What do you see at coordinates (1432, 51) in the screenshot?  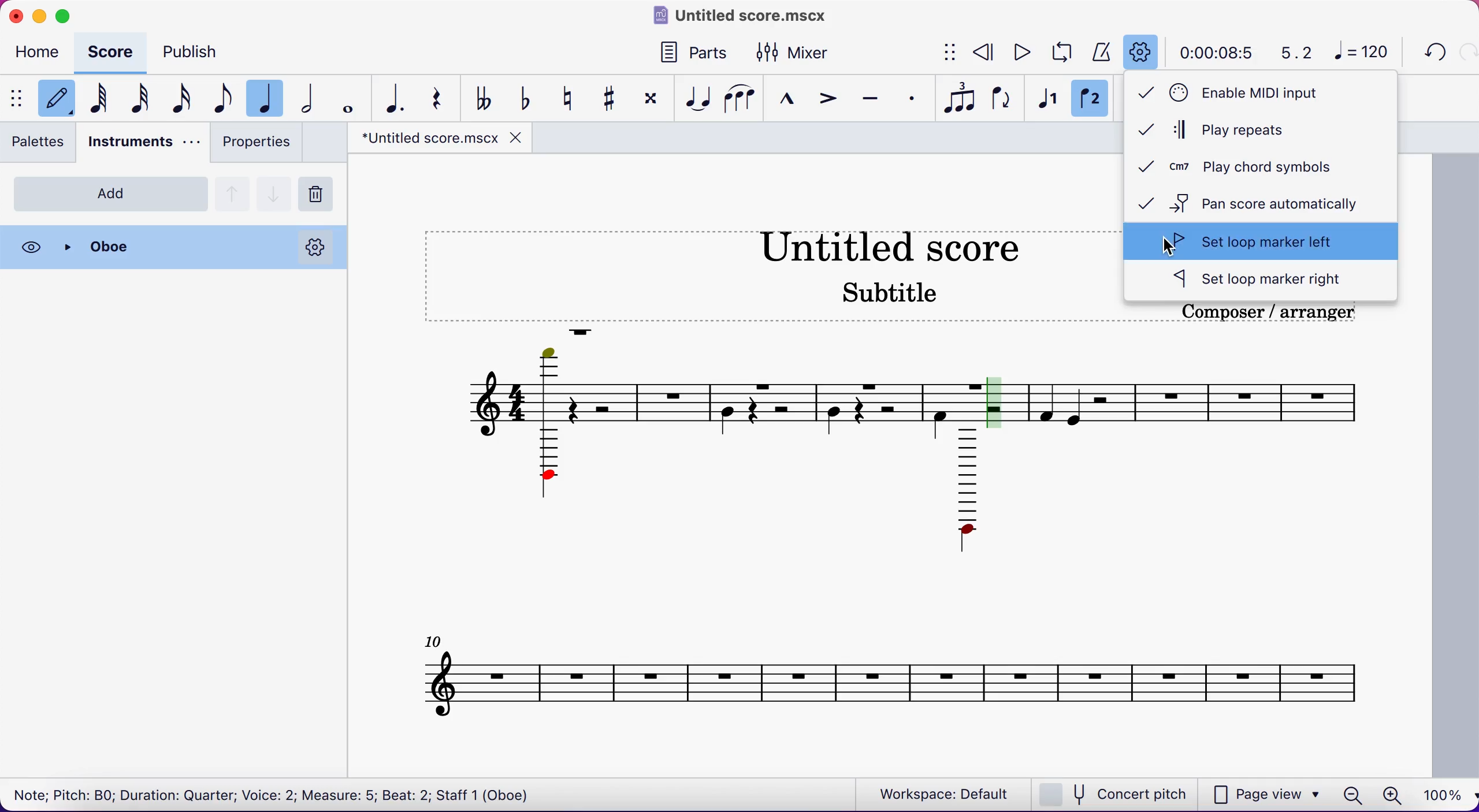 I see `undo` at bounding box center [1432, 51].